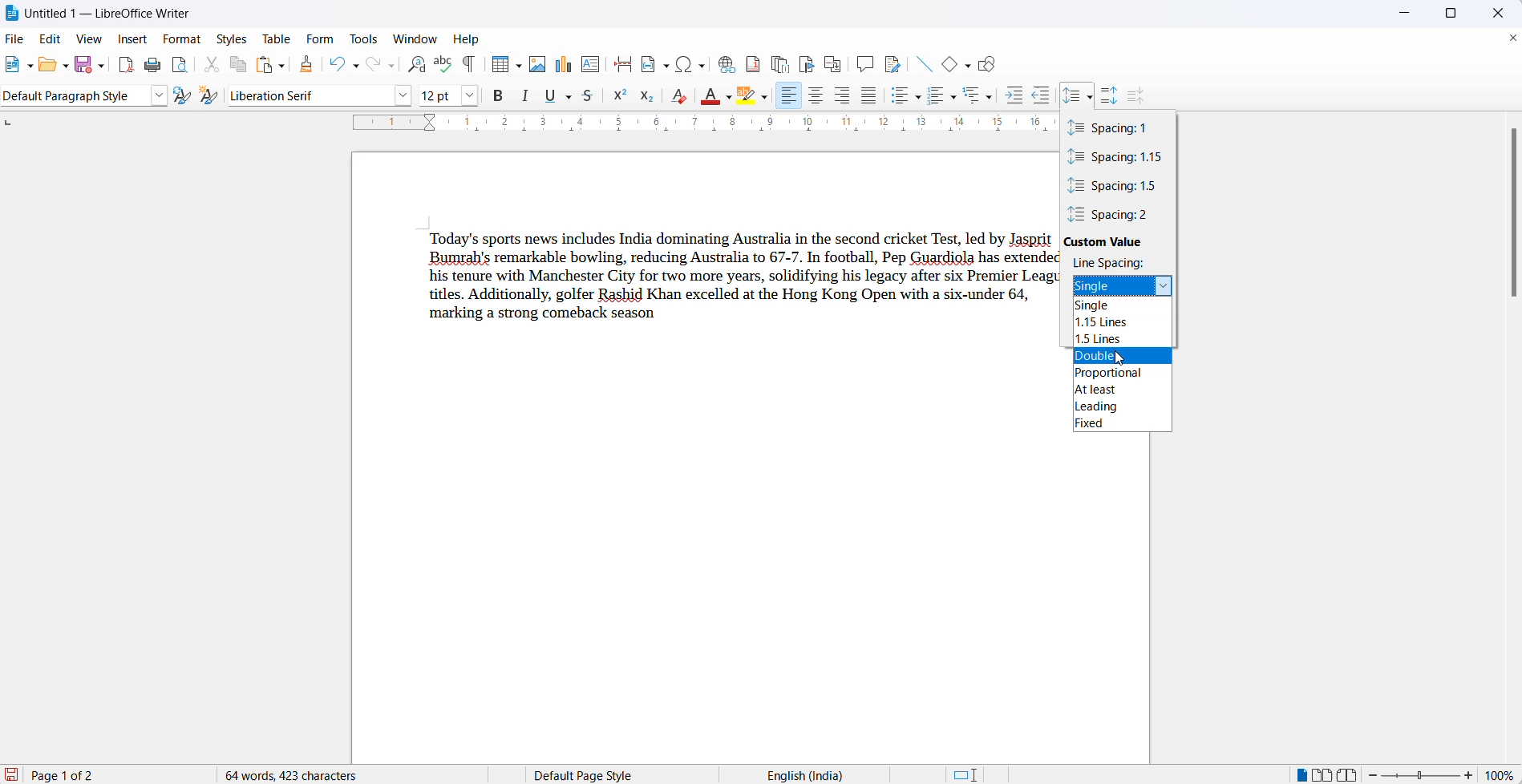 The image size is (1522, 784). I want to click on save options, so click(101, 69).